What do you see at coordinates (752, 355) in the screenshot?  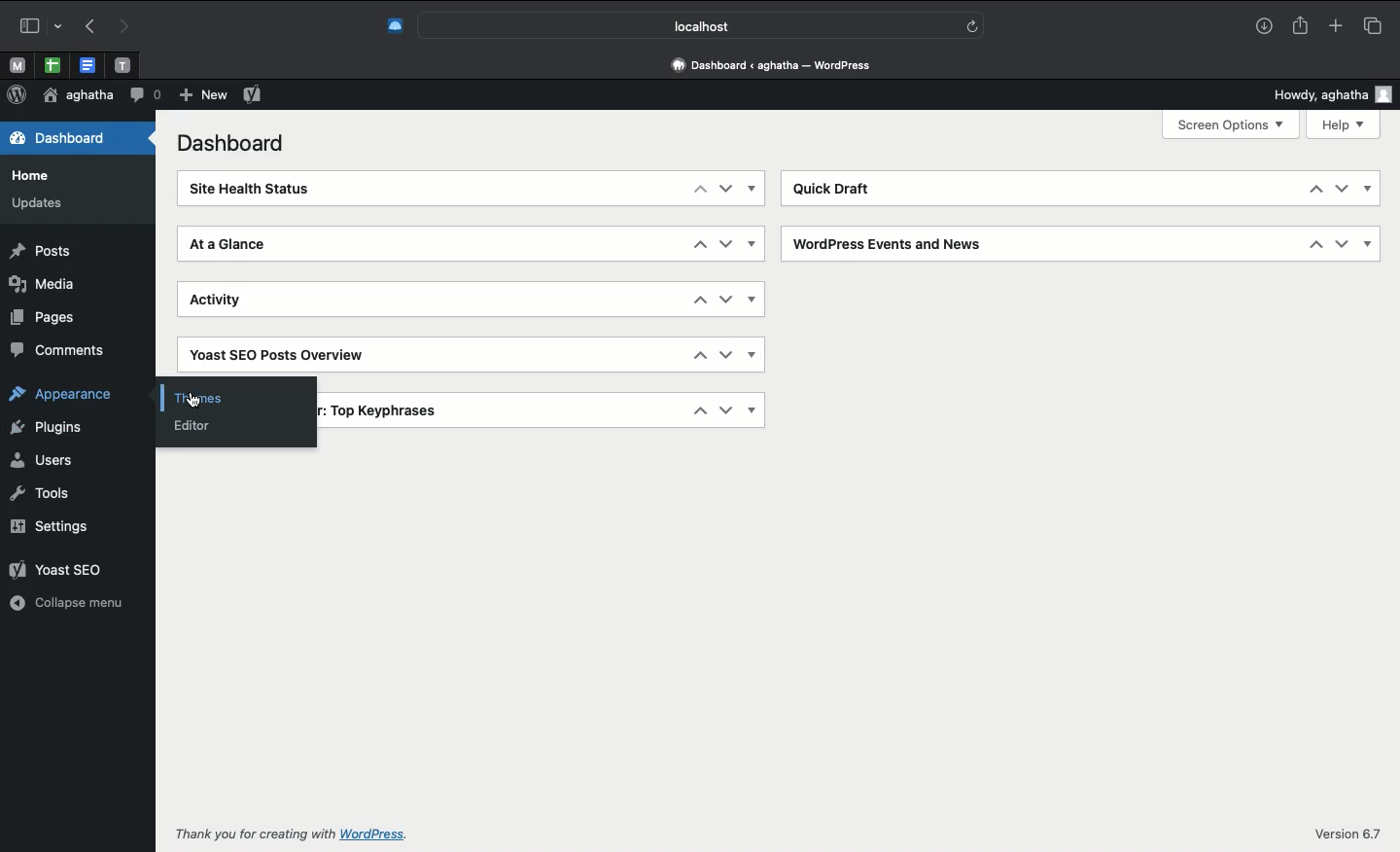 I see `Show` at bounding box center [752, 355].